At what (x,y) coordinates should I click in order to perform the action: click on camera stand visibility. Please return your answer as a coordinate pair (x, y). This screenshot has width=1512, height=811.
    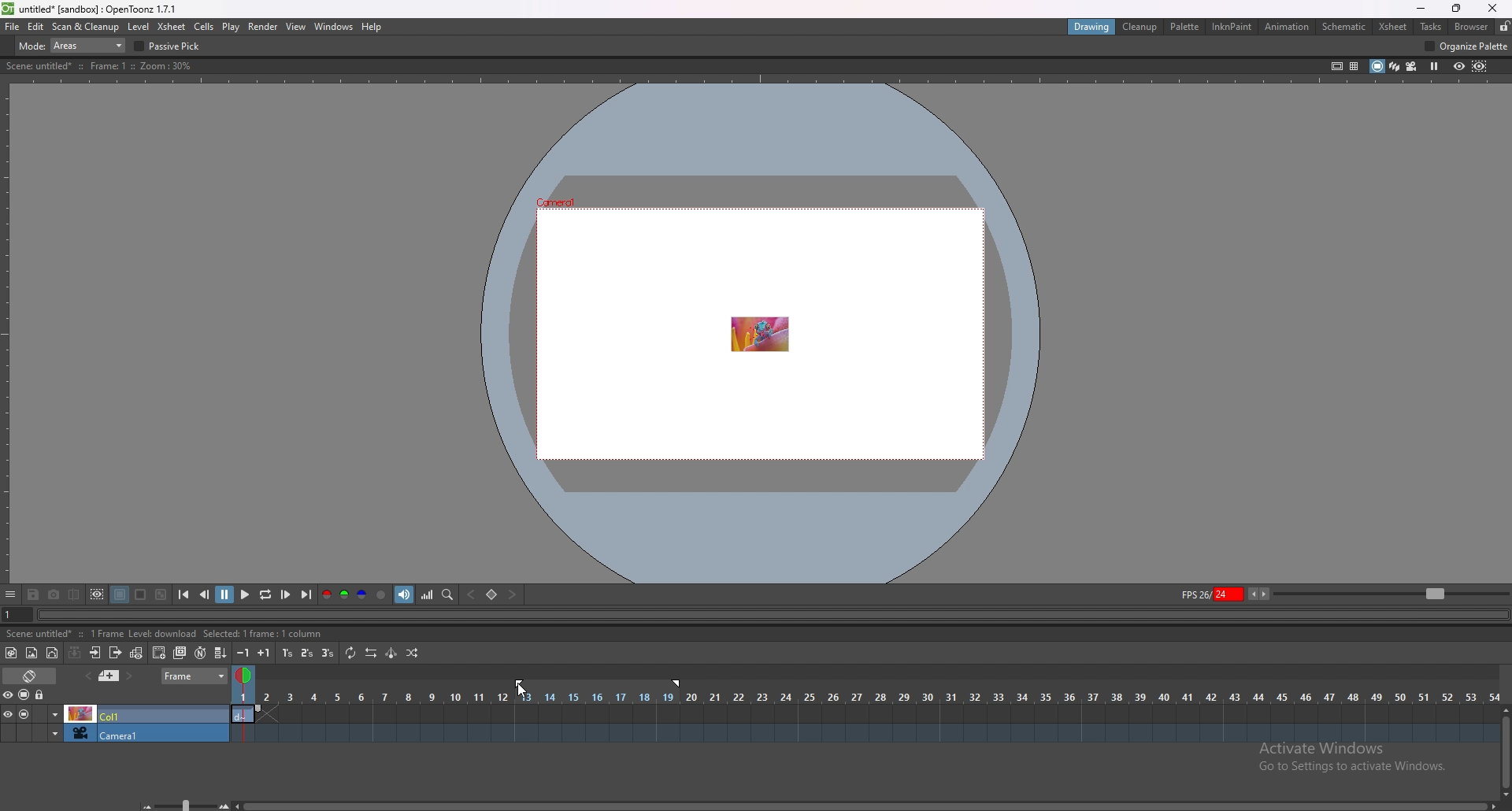
    Looking at the image, I should click on (25, 695).